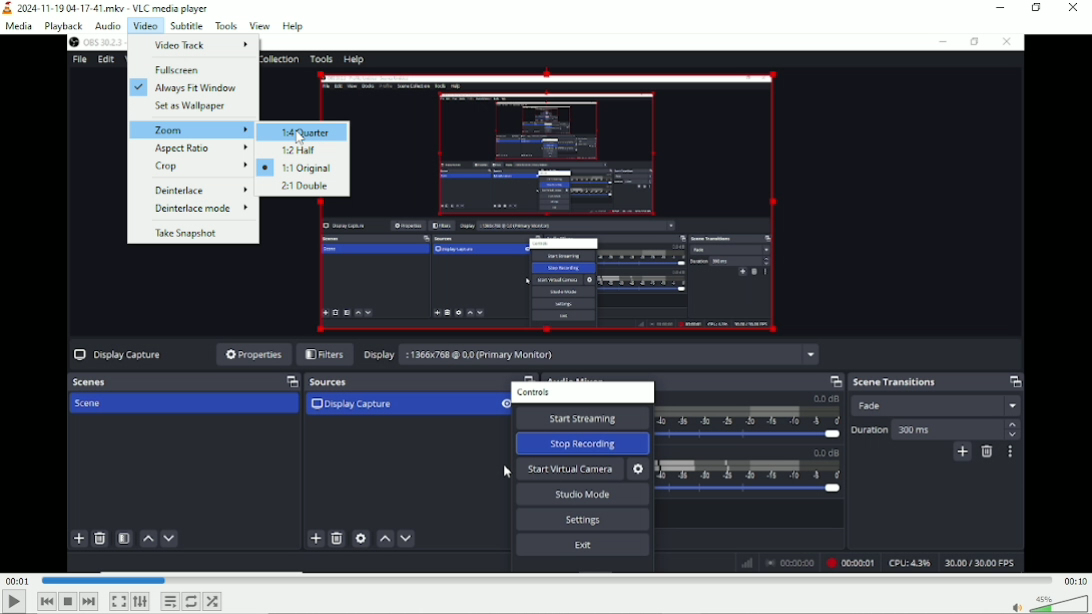  I want to click on help, so click(293, 25).